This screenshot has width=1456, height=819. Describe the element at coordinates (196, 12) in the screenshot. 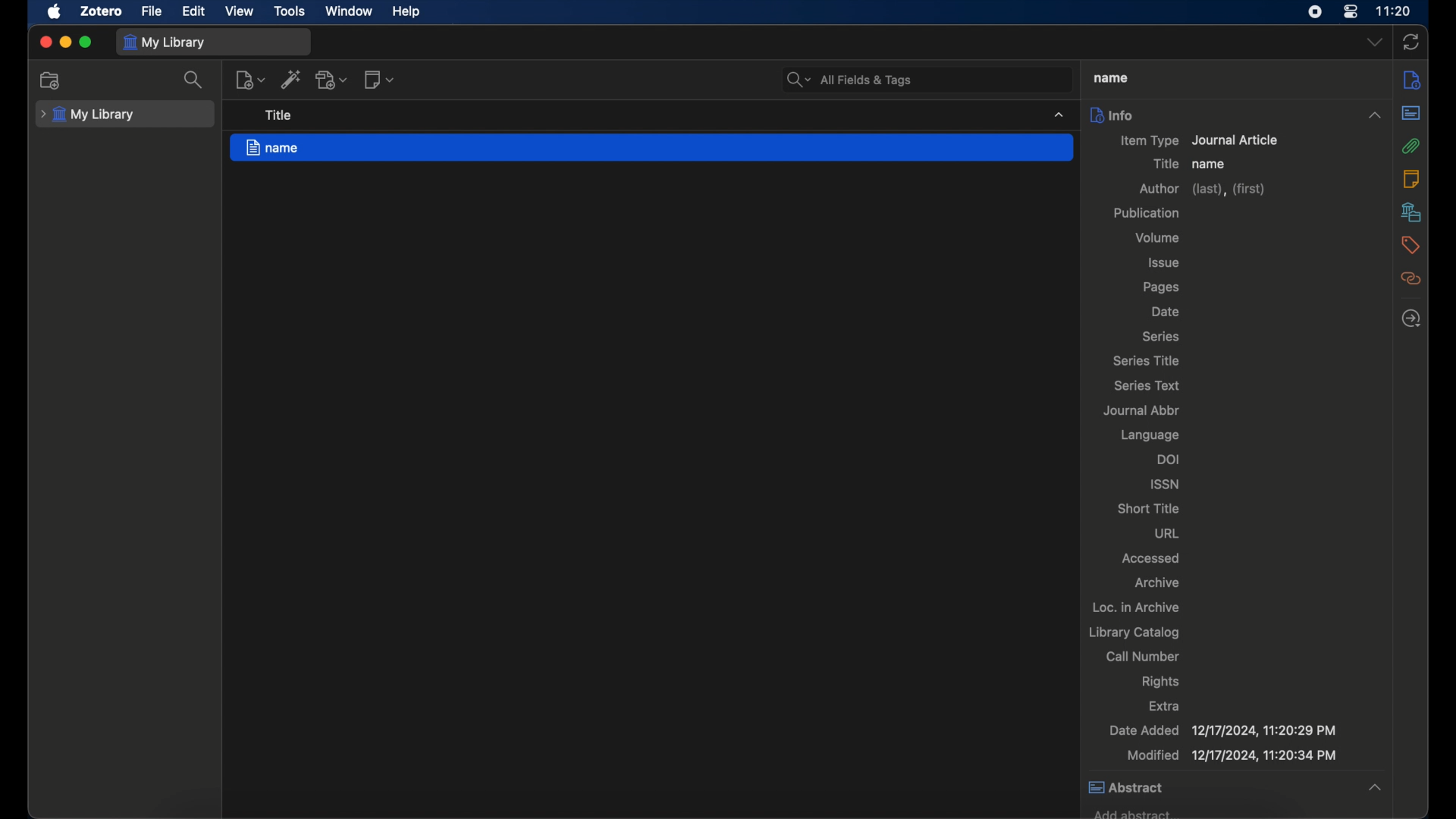

I see `edit` at that location.